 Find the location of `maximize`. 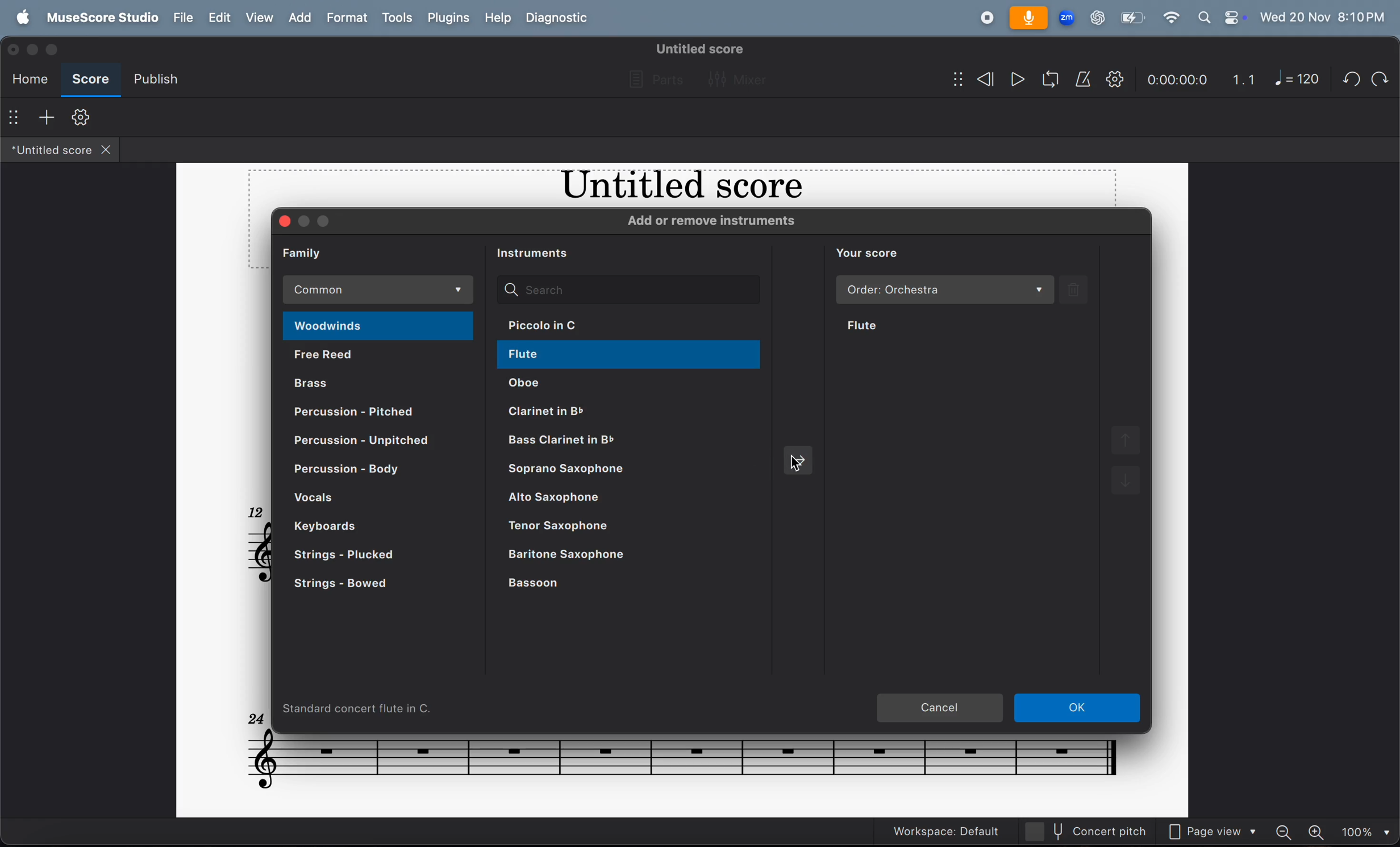

maximize is located at coordinates (56, 49).